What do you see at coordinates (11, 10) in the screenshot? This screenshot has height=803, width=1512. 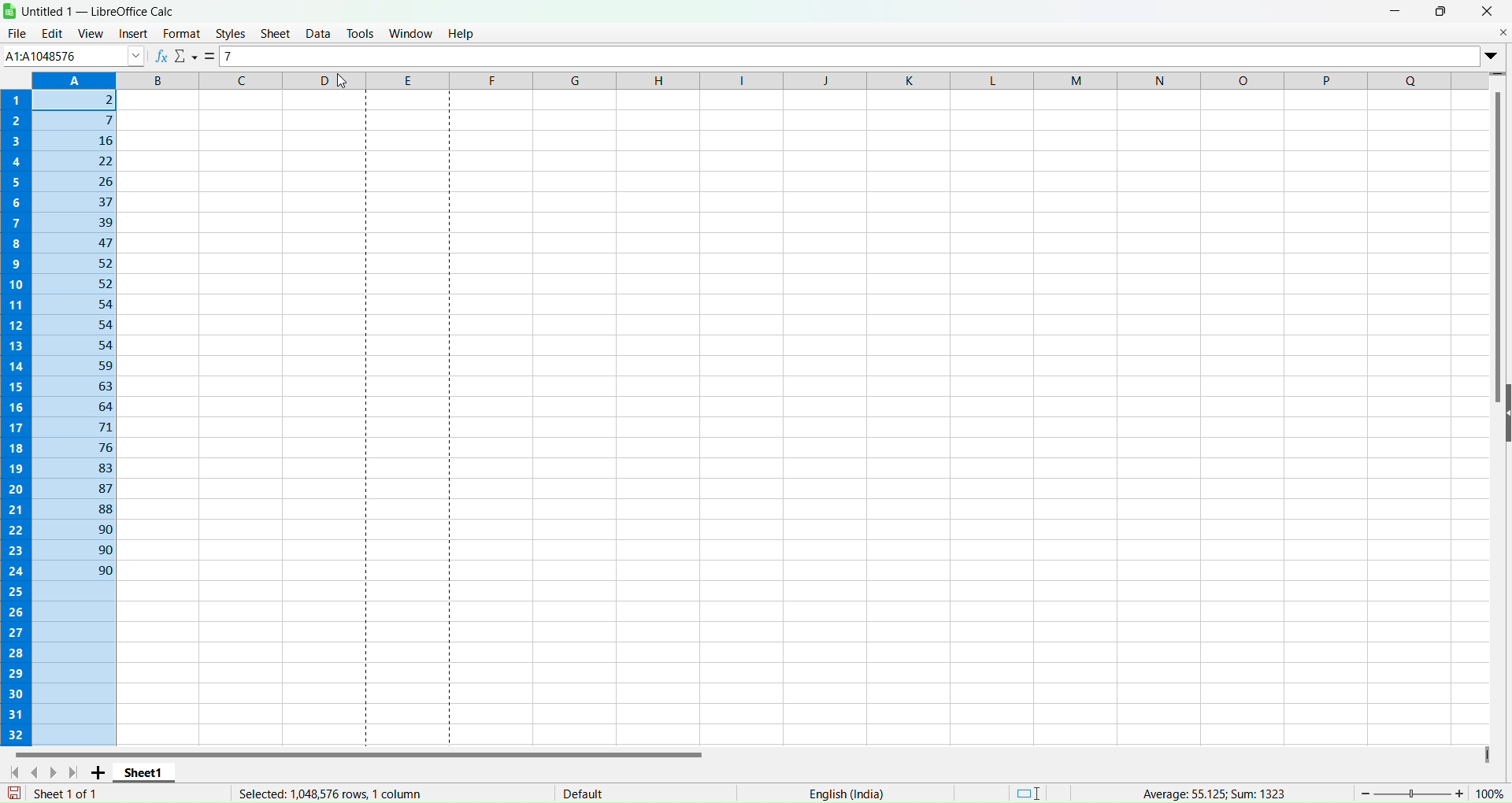 I see `Logo` at bounding box center [11, 10].